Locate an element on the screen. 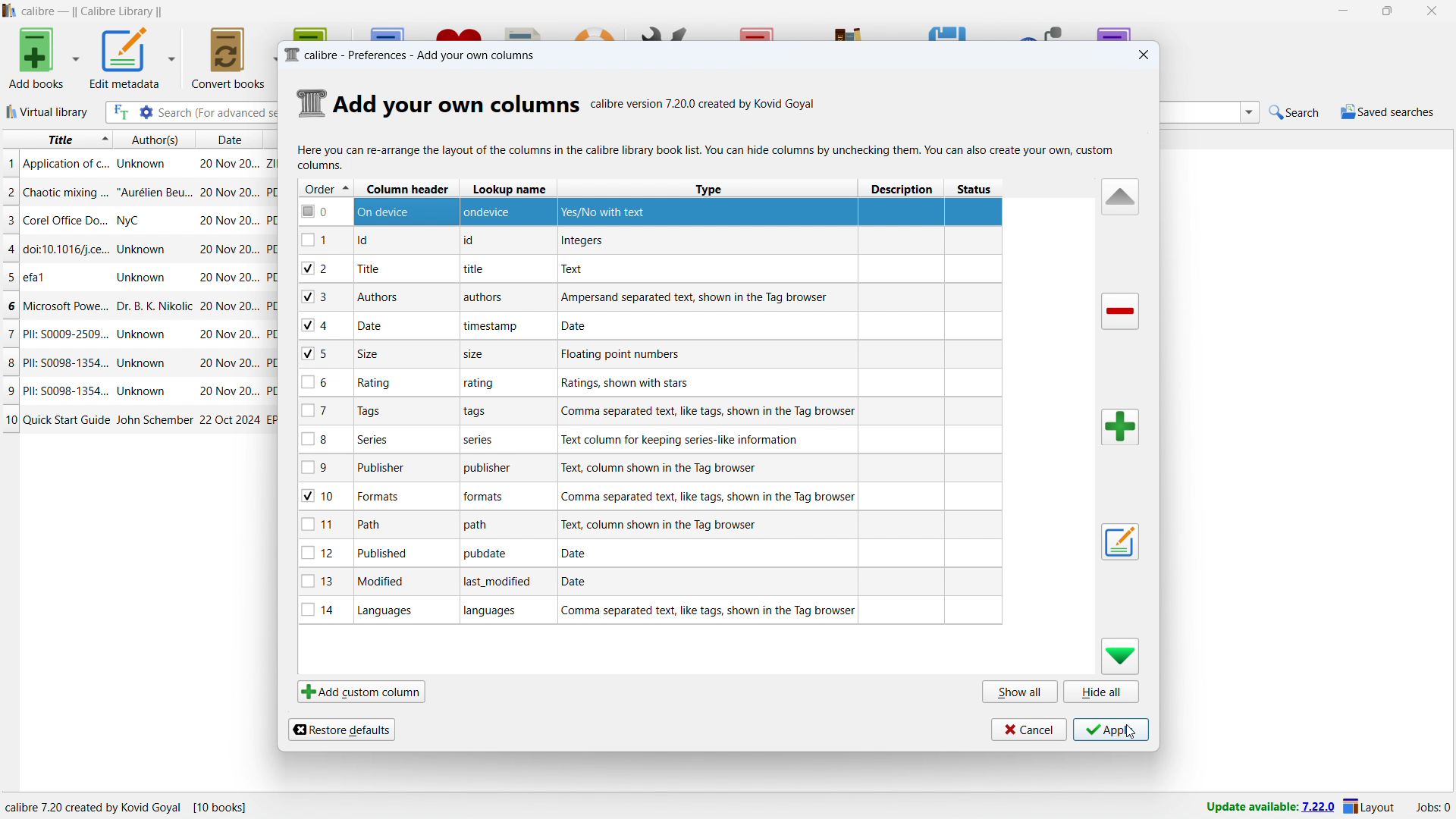 The height and width of the screenshot is (819, 1456). cancel is located at coordinates (1028, 729).